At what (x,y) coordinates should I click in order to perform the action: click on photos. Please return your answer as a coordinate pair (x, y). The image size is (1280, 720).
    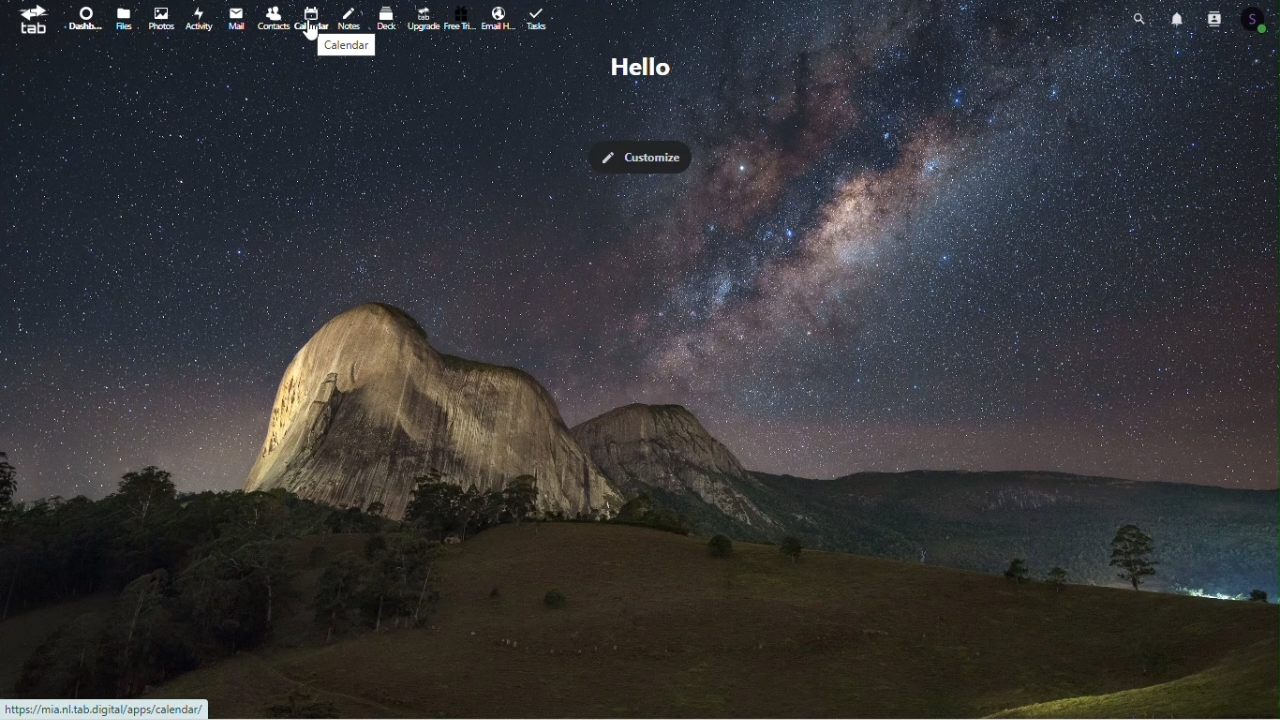
    Looking at the image, I should click on (158, 20).